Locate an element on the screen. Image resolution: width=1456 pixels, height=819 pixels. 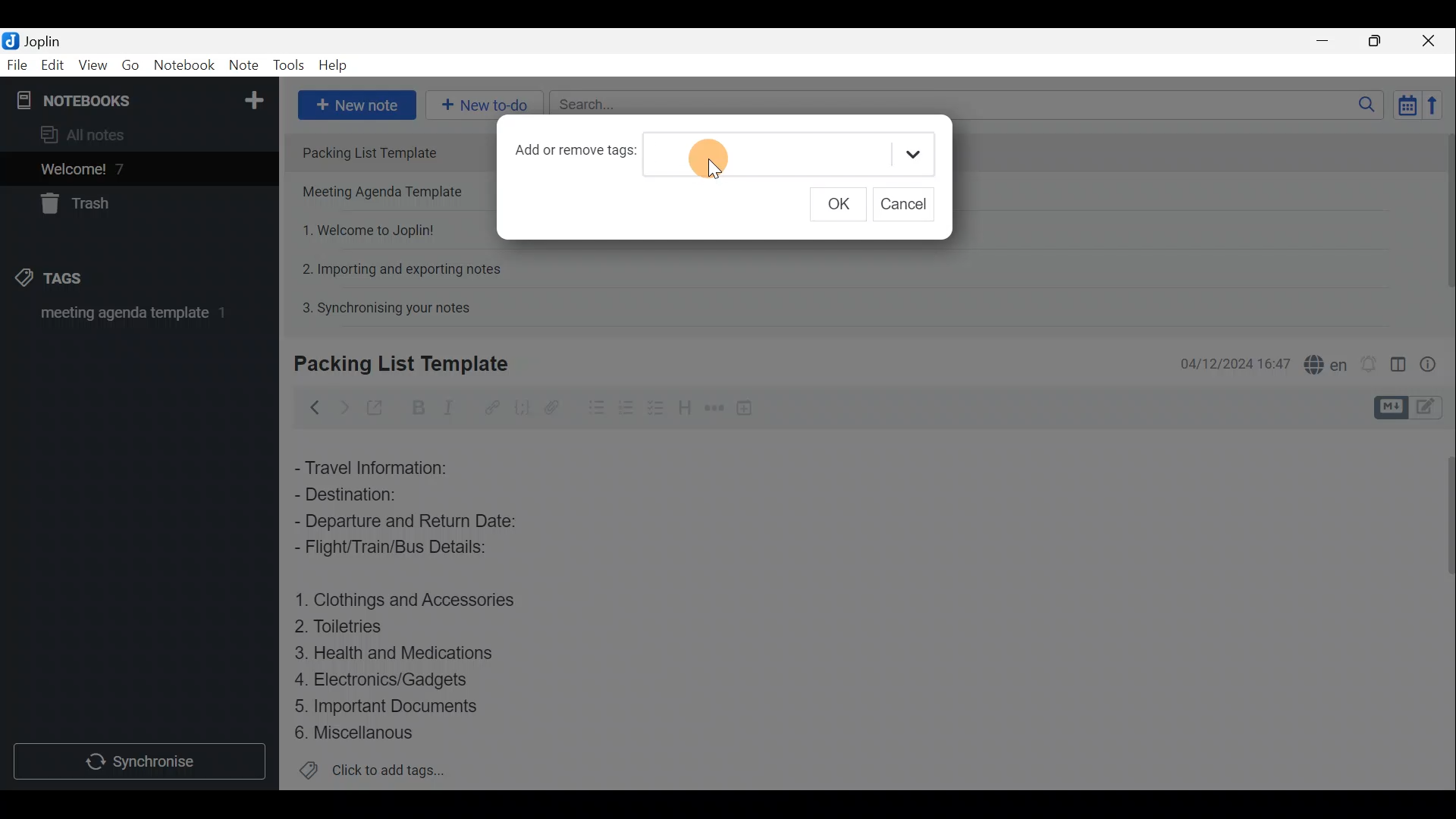
Text box is located at coordinates (781, 151).